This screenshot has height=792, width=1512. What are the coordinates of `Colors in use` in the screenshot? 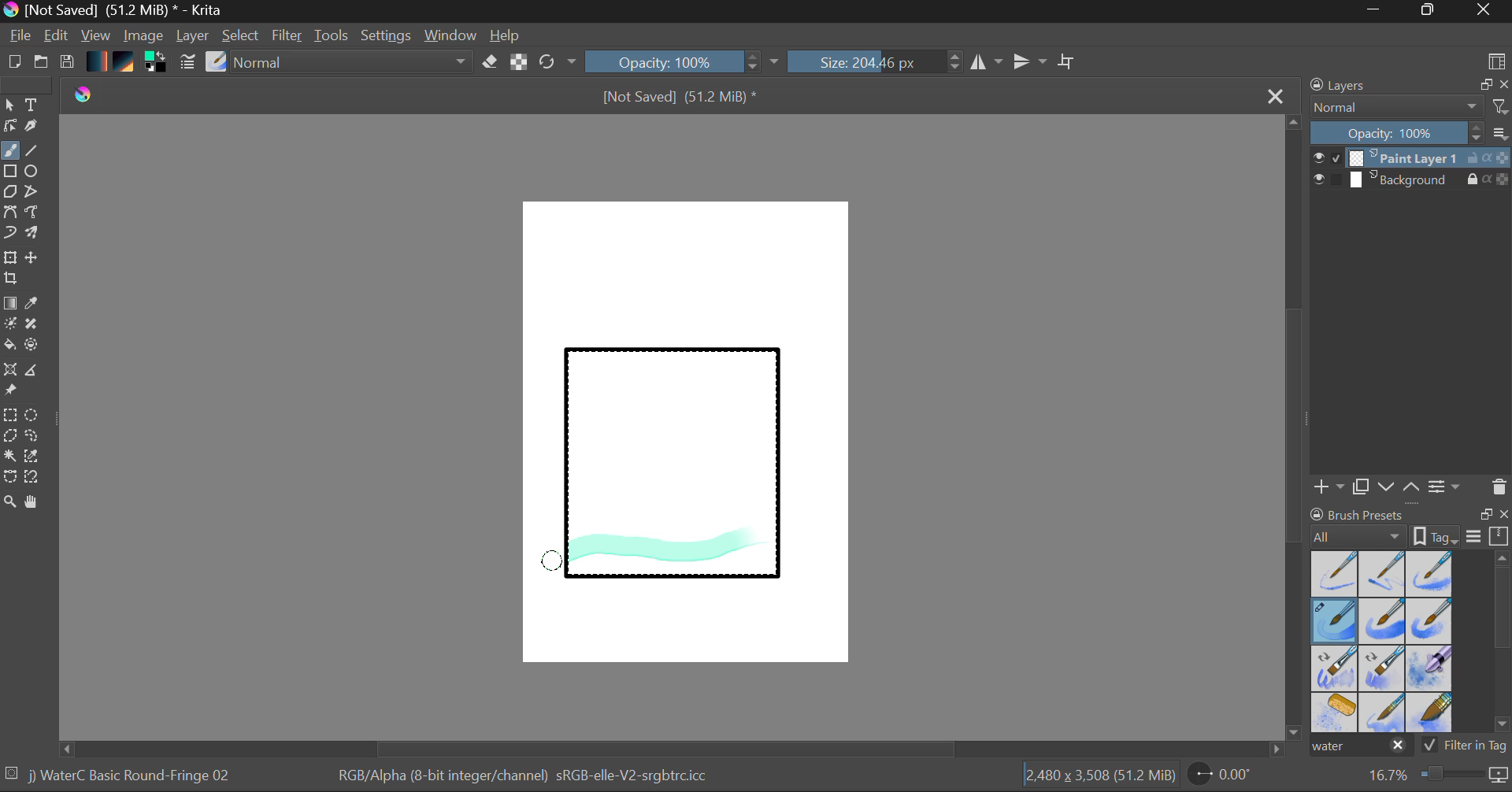 It's located at (157, 63).